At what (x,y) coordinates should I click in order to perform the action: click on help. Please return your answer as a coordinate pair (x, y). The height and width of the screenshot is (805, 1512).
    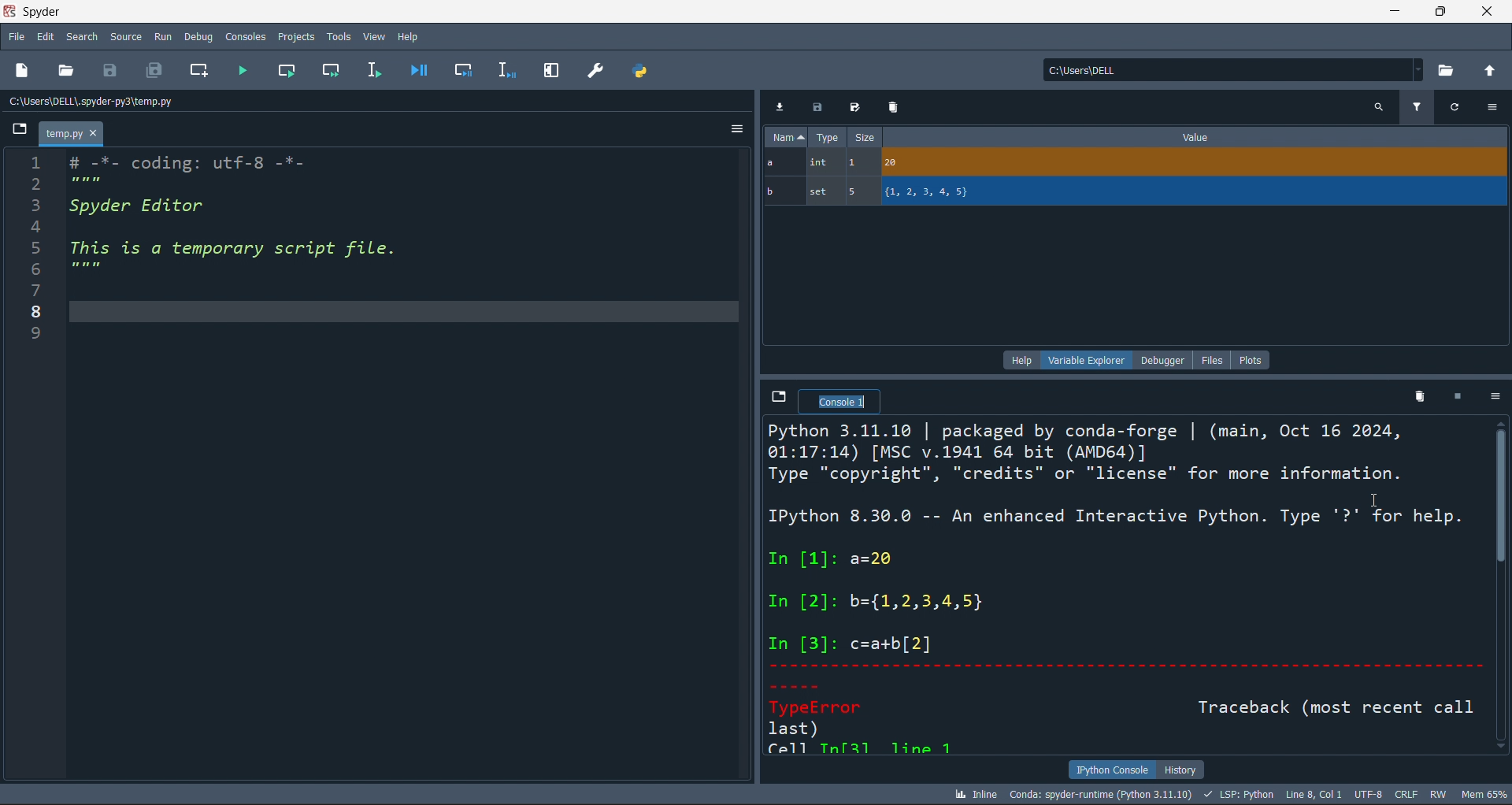
    Looking at the image, I should click on (1019, 359).